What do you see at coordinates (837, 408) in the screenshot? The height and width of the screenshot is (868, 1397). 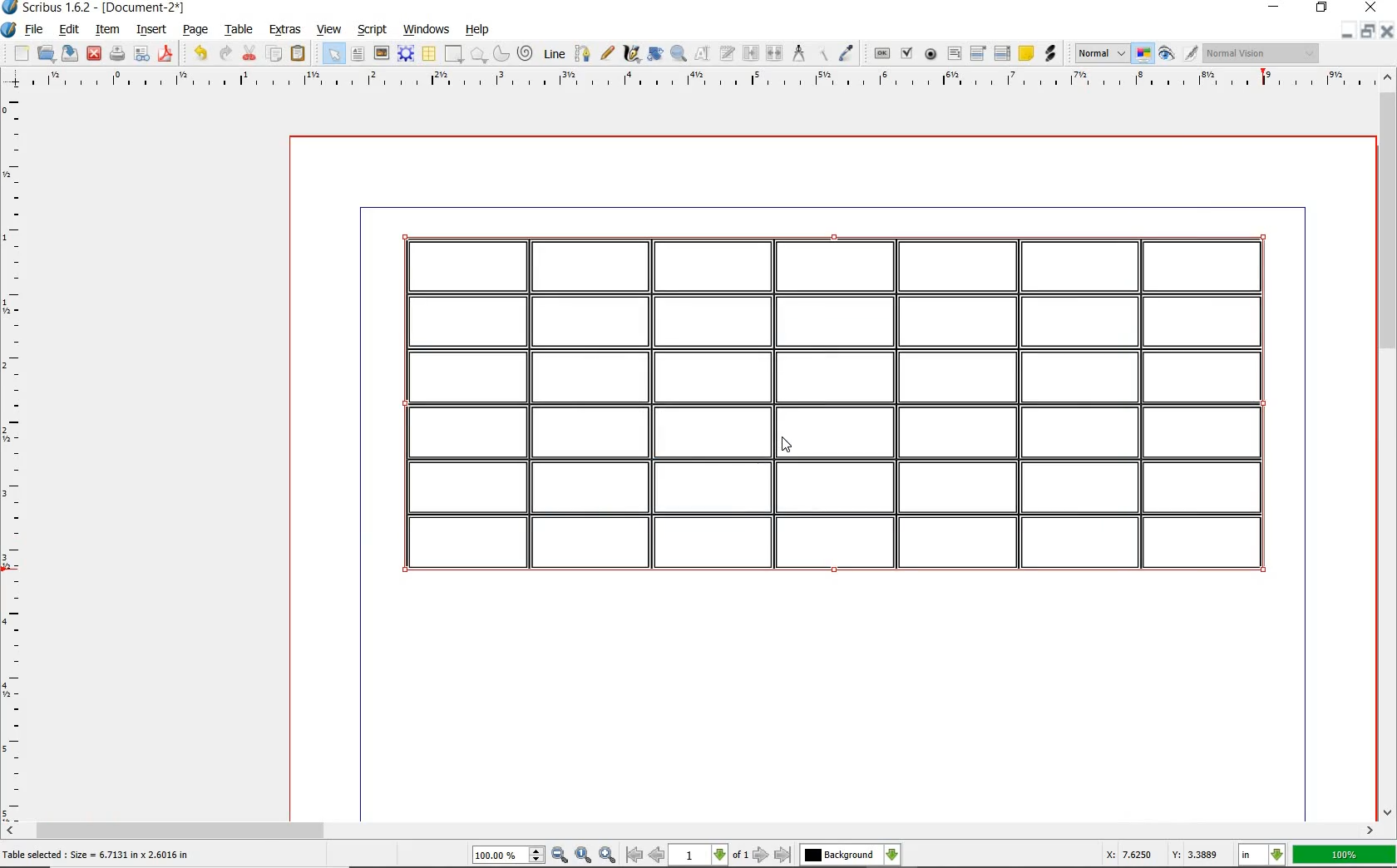 I see `table customized to include 6 rows and 7 columns typical of a calendar` at bounding box center [837, 408].